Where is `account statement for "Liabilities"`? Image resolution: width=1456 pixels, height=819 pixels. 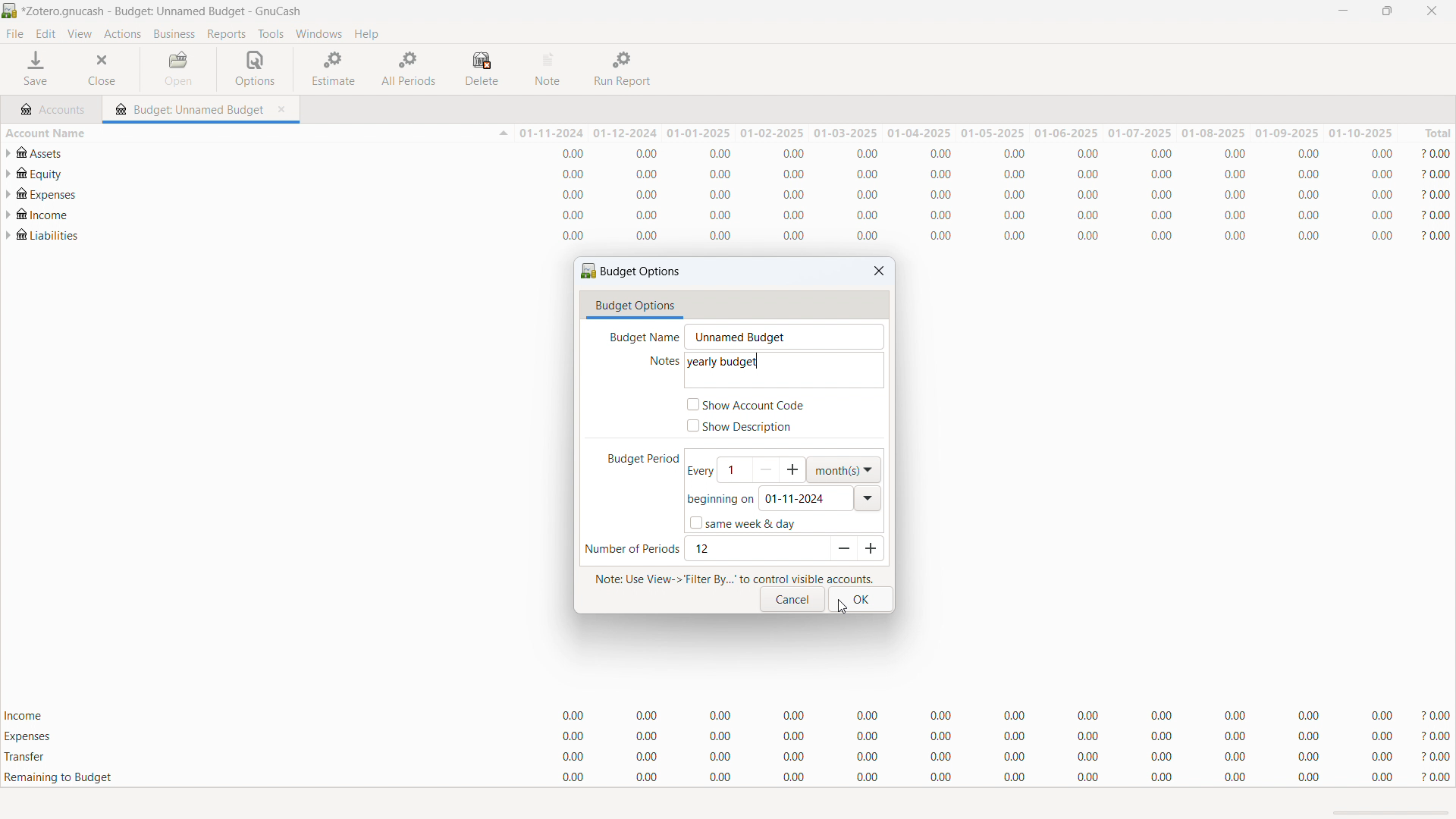 account statement for "Liabilities" is located at coordinates (736, 236).